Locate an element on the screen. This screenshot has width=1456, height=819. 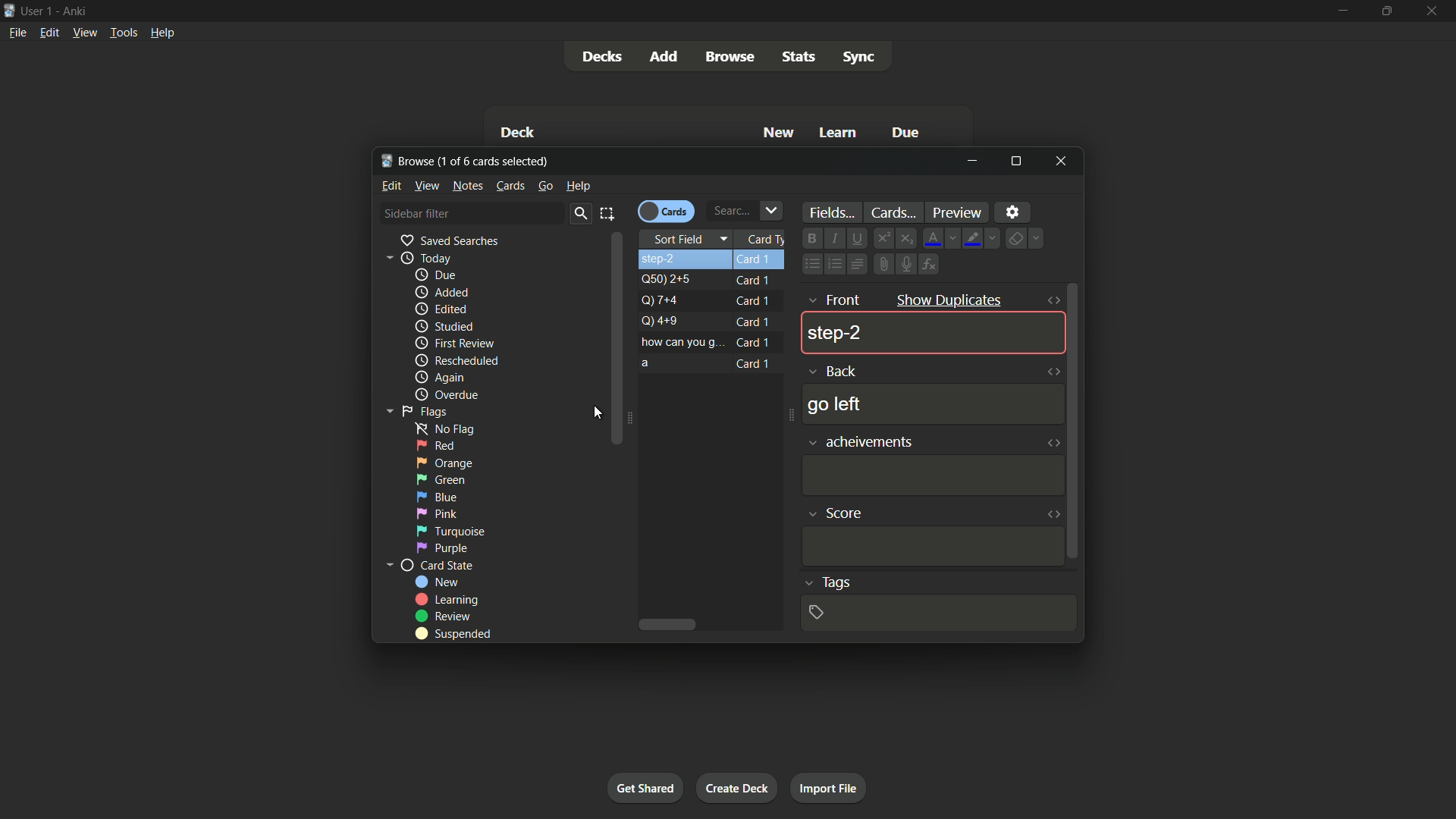
Deck is located at coordinates (519, 132).